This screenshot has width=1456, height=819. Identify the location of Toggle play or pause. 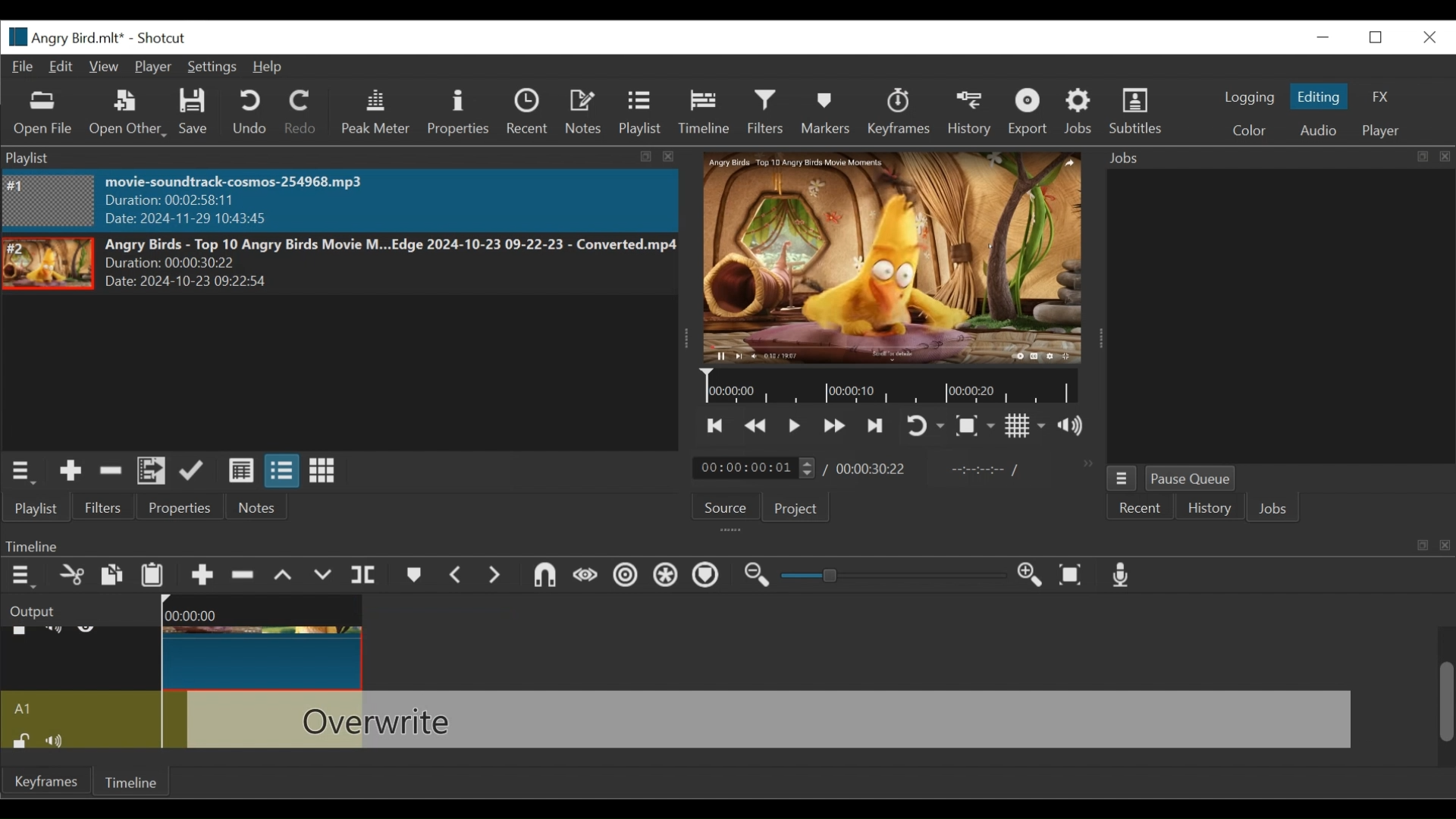
(795, 426).